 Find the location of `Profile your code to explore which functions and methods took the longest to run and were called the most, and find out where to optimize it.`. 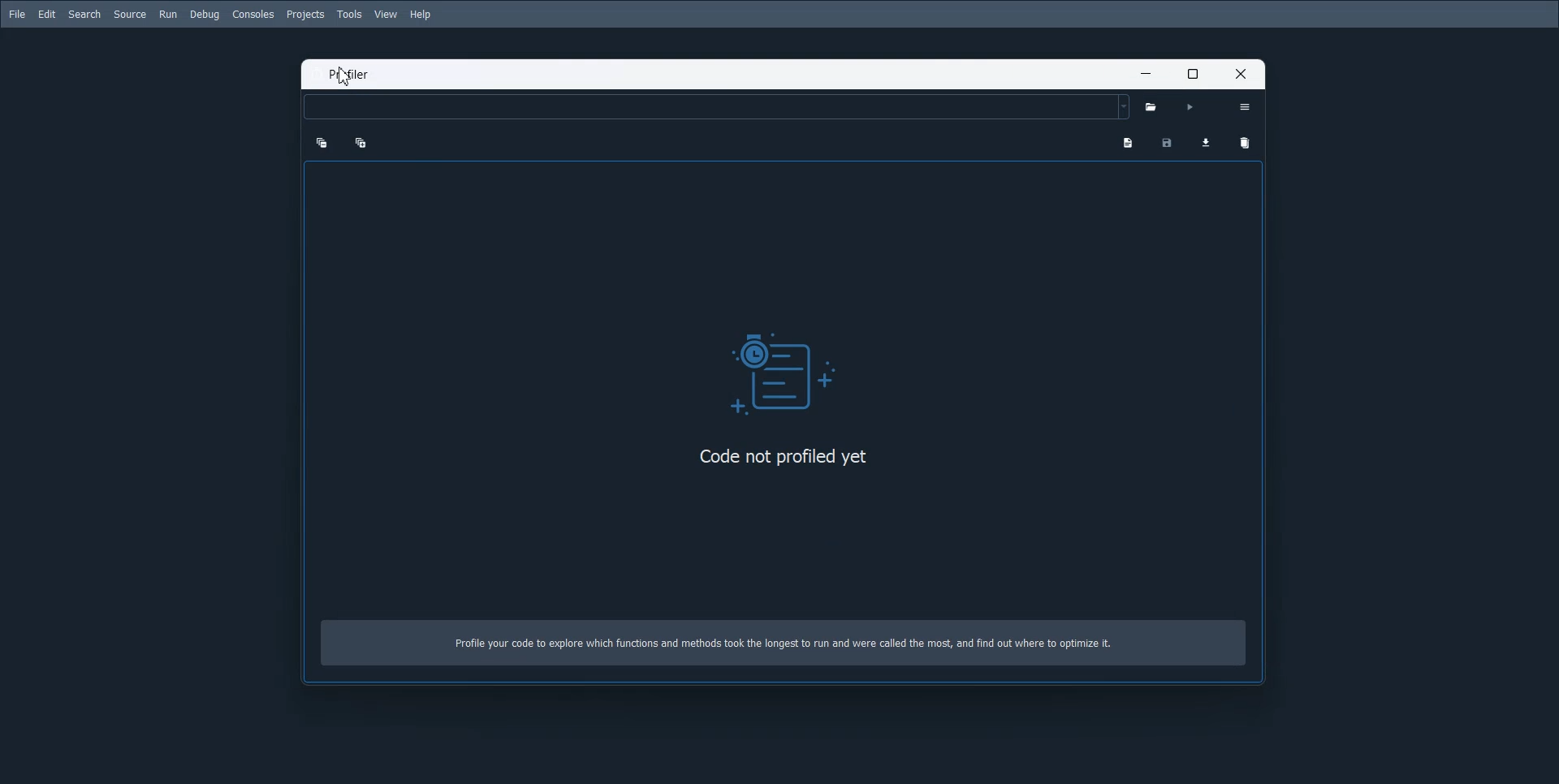

Profile your code to explore which functions and methods took the longest to run and were called the most, and find out where to optimize it. is located at coordinates (788, 648).